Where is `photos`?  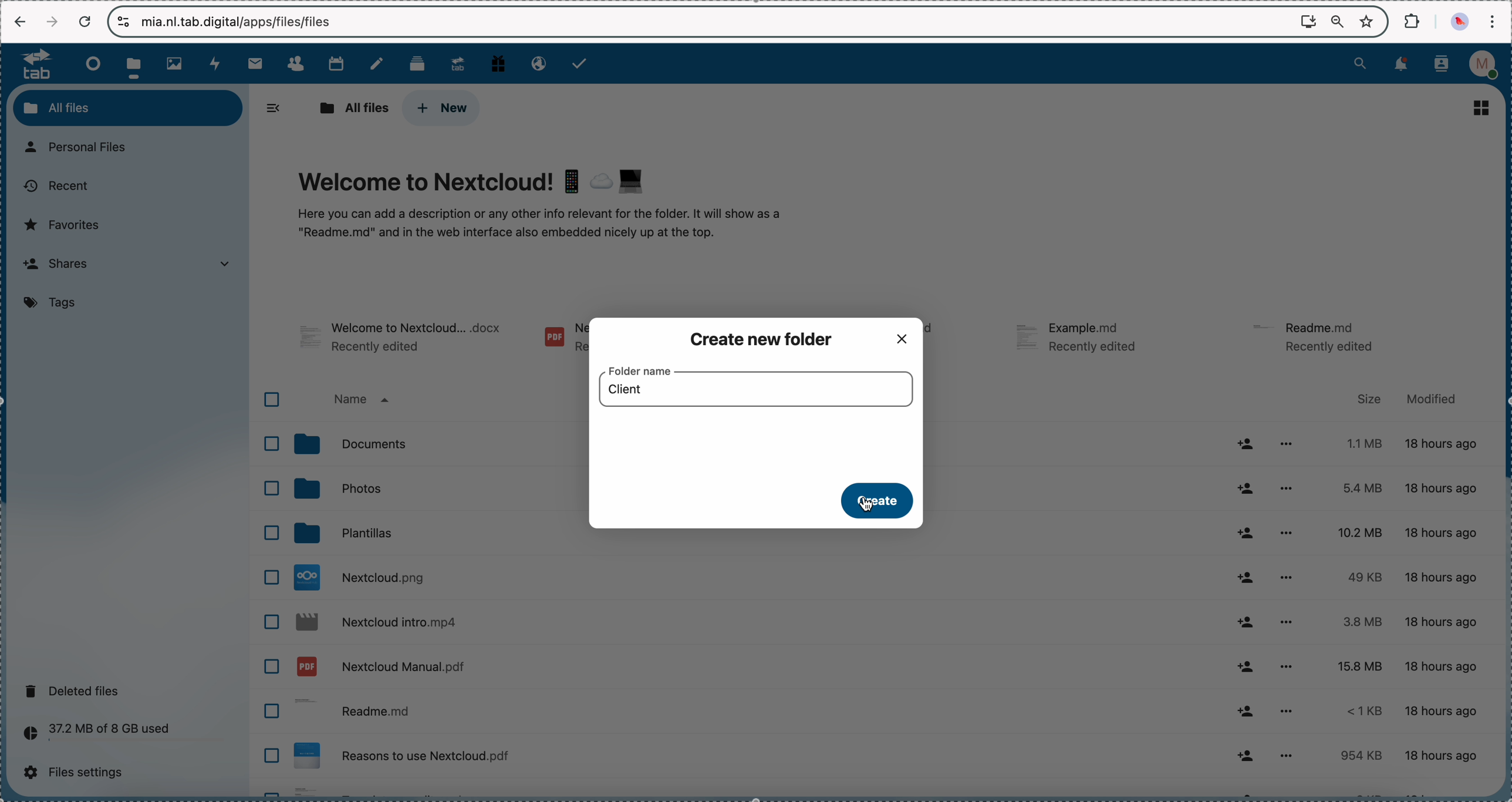 photos is located at coordinates (178, 64).